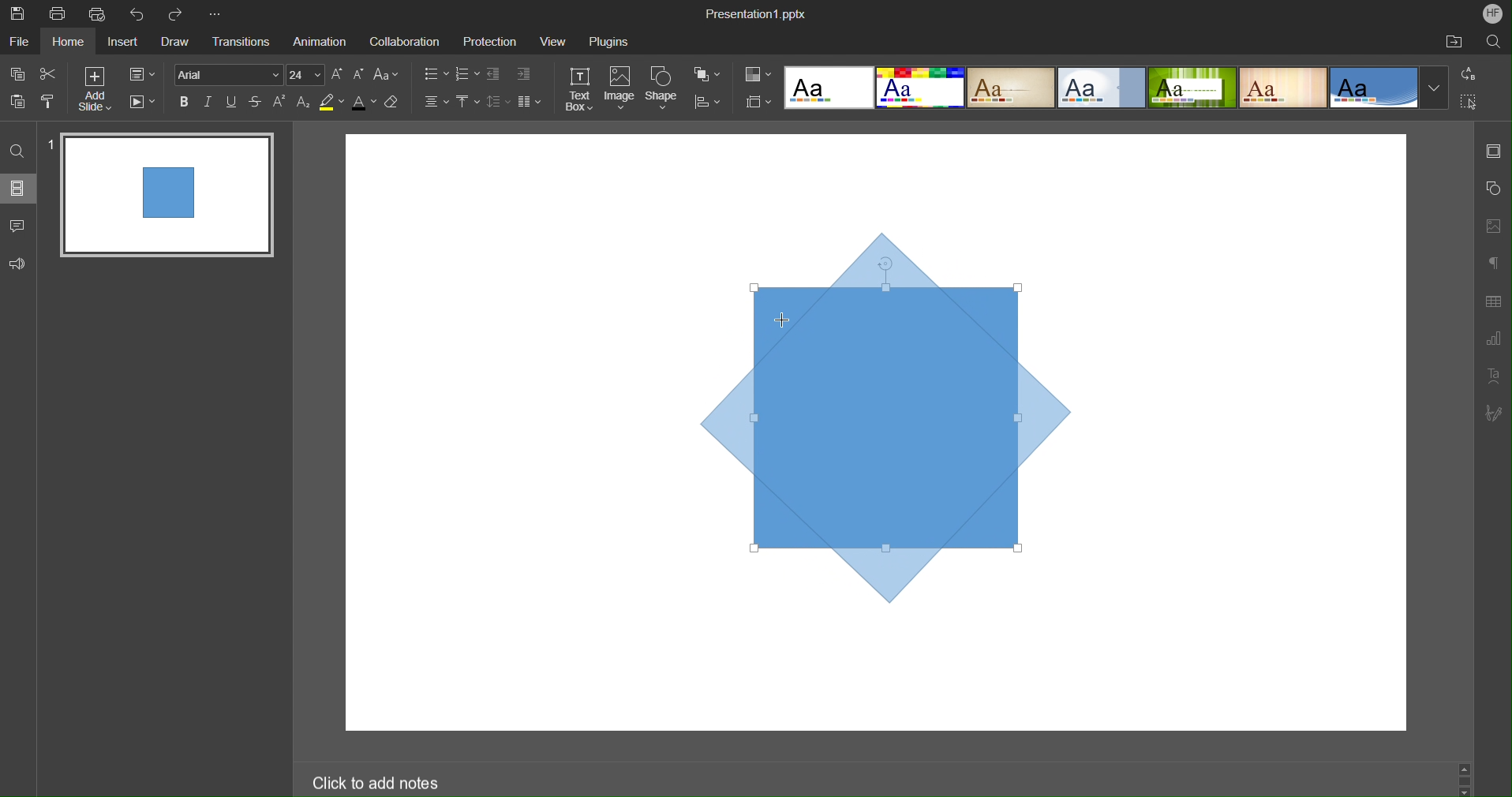 This screenshot has width=1512, height=797. I want to click on Bold, so click(187, 102).